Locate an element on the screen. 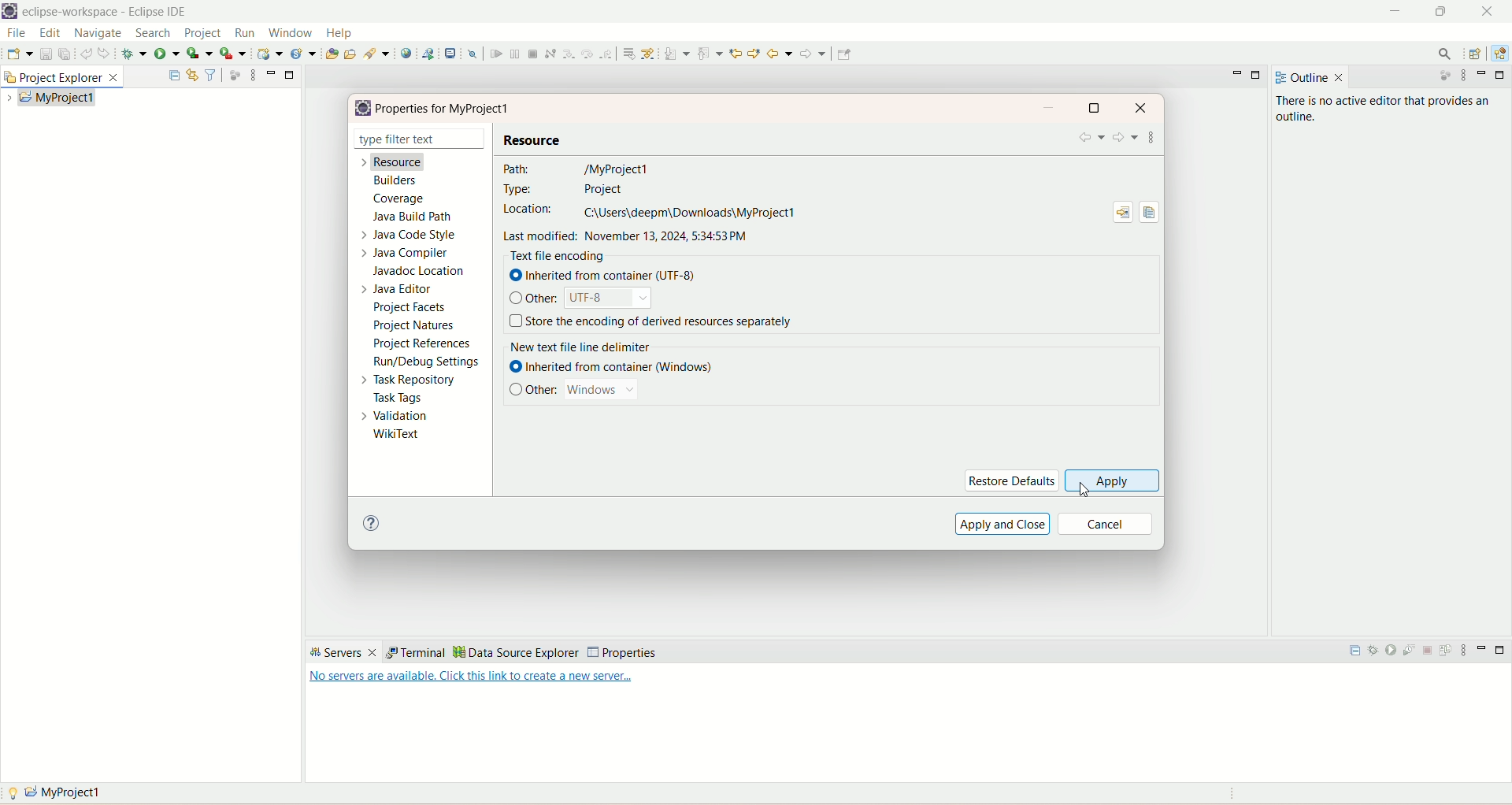 The height and width of the screenshot is (805, 1512). stop the server is located at coordinates (1430, 652).